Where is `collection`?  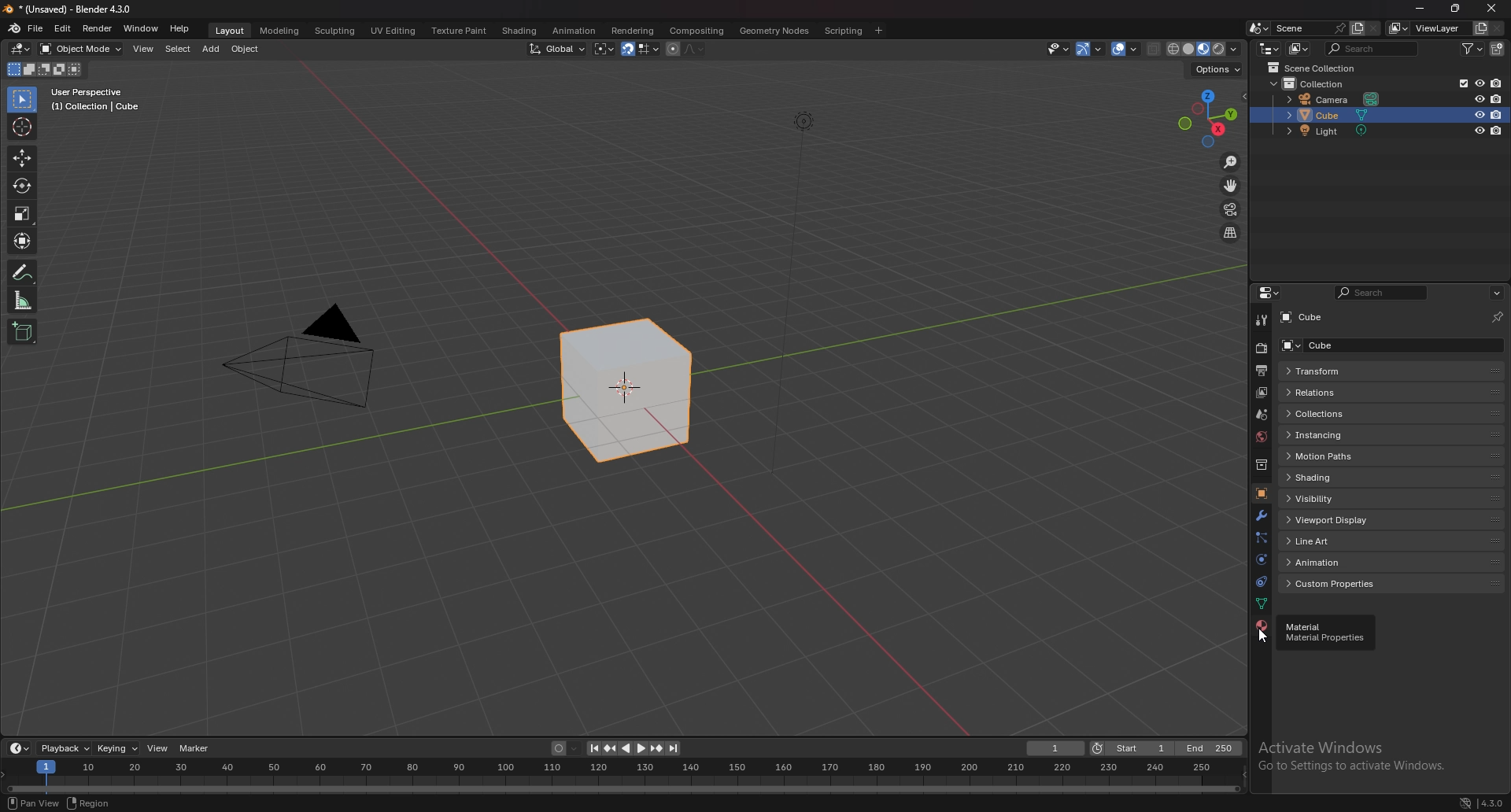 collection is located at coordinates (1262, 465).